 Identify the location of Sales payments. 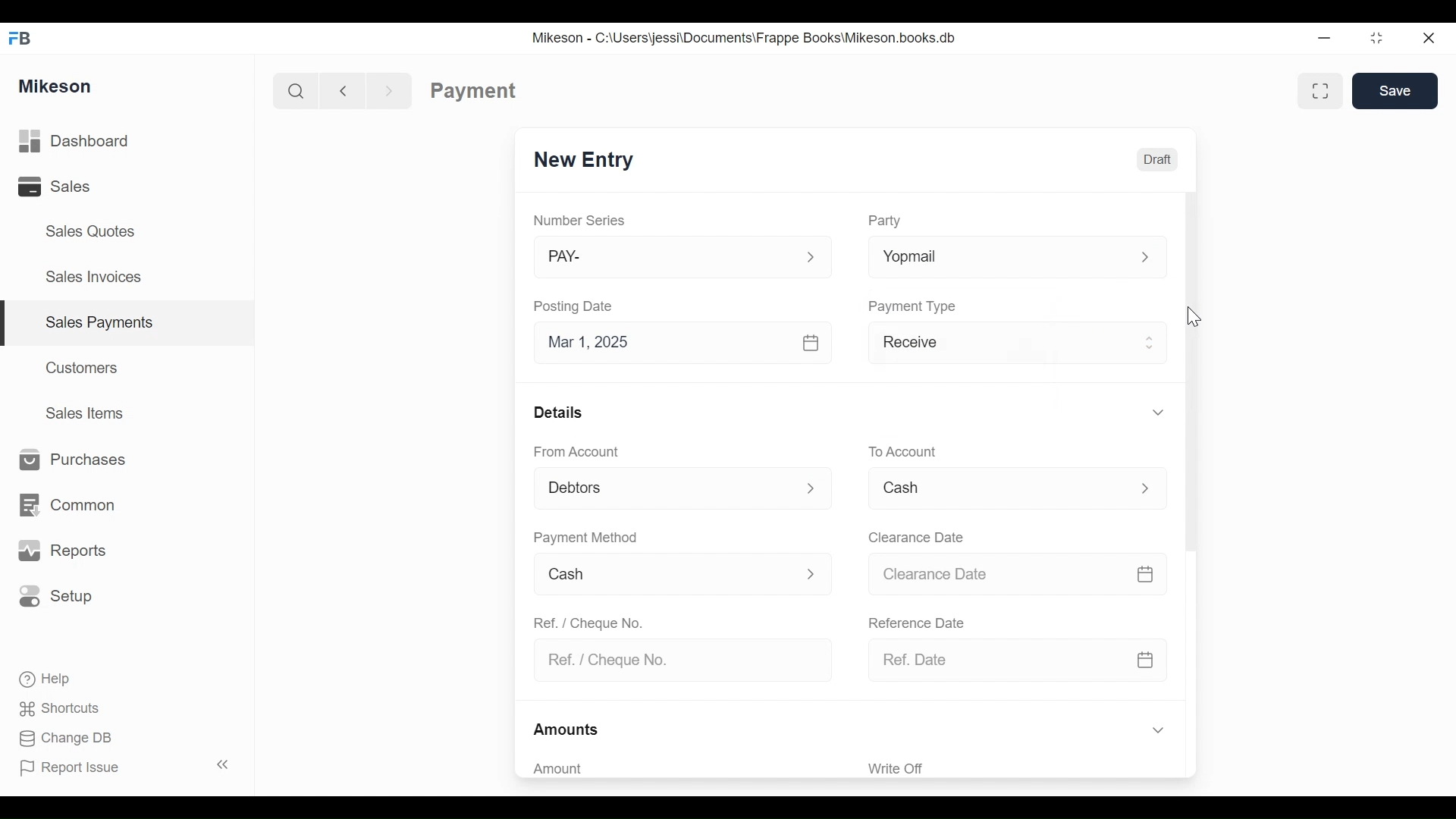
(102, 322).